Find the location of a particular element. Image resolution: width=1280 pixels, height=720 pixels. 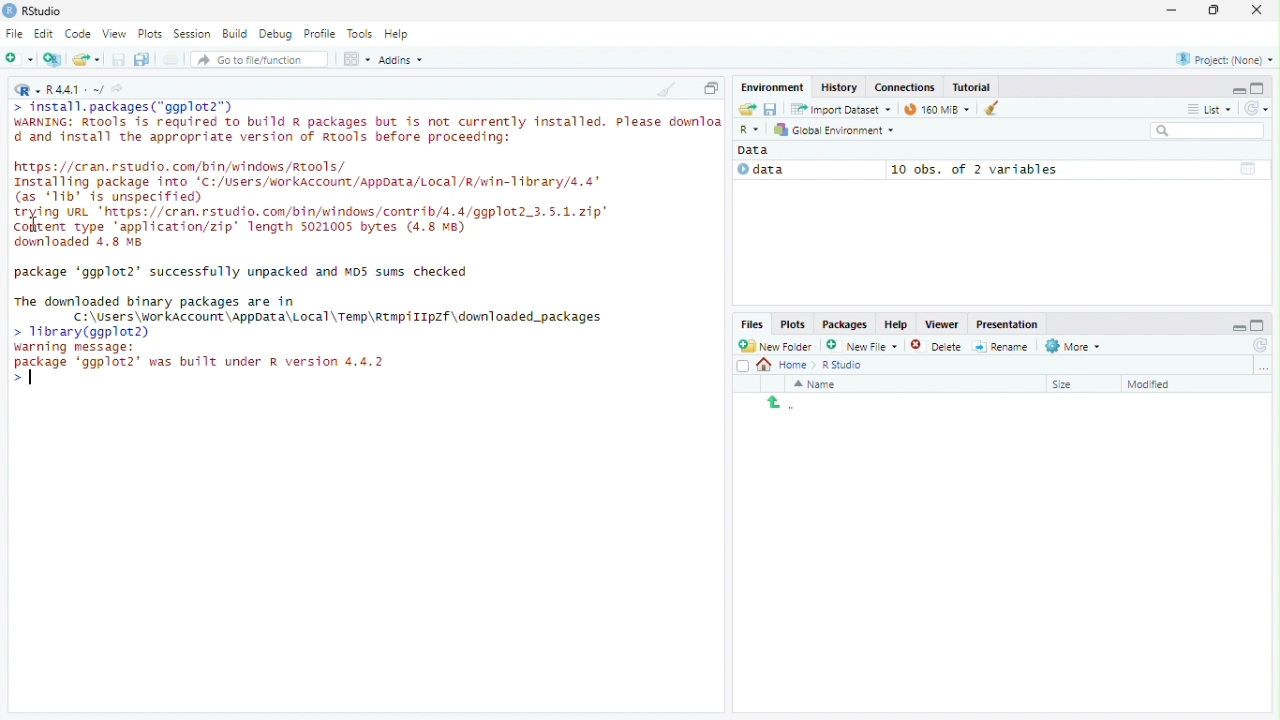

save all open documents is located at coordinates (143, 59).